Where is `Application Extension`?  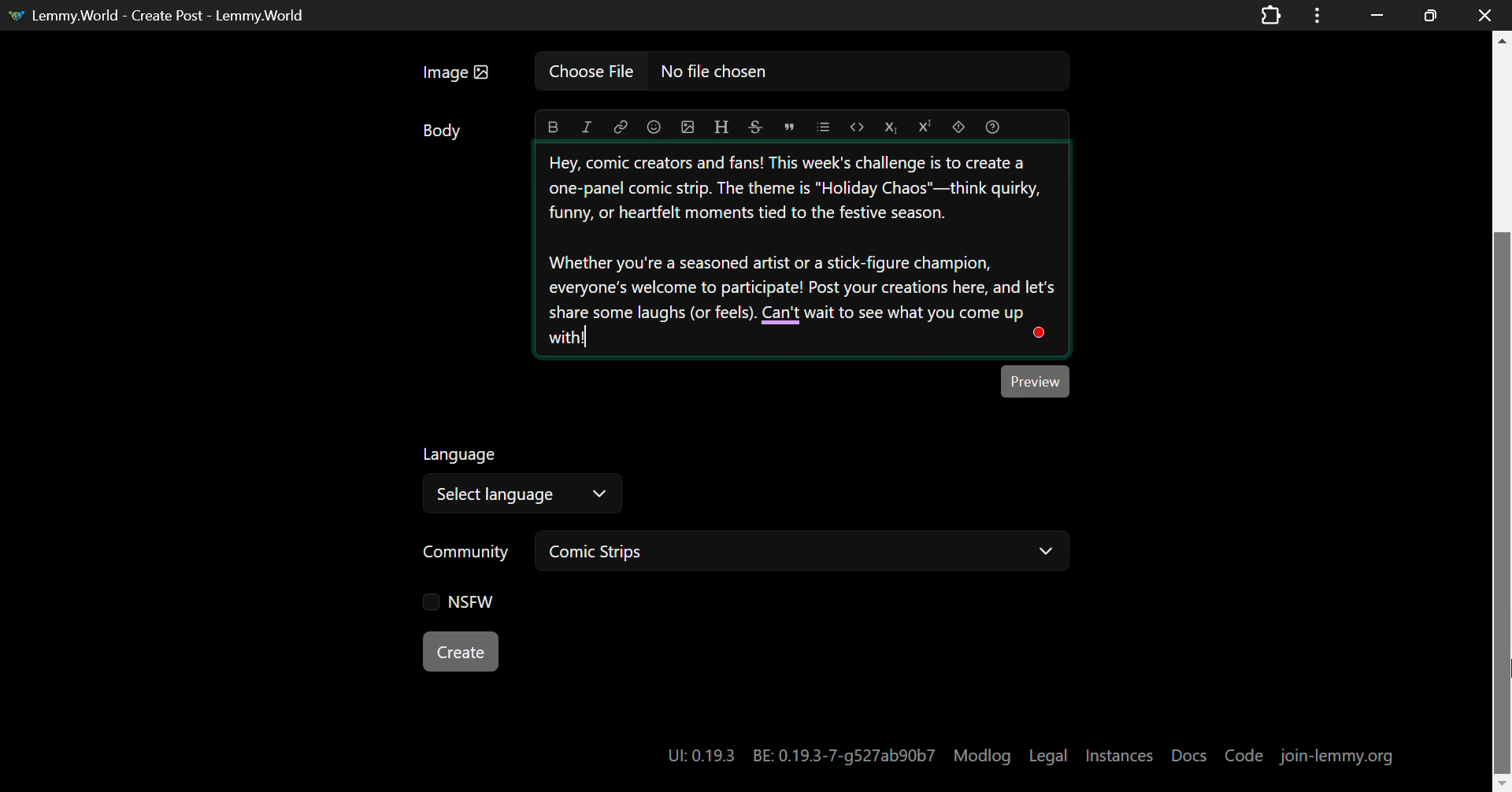
Application Extension is located at coordinates (1274, 13).